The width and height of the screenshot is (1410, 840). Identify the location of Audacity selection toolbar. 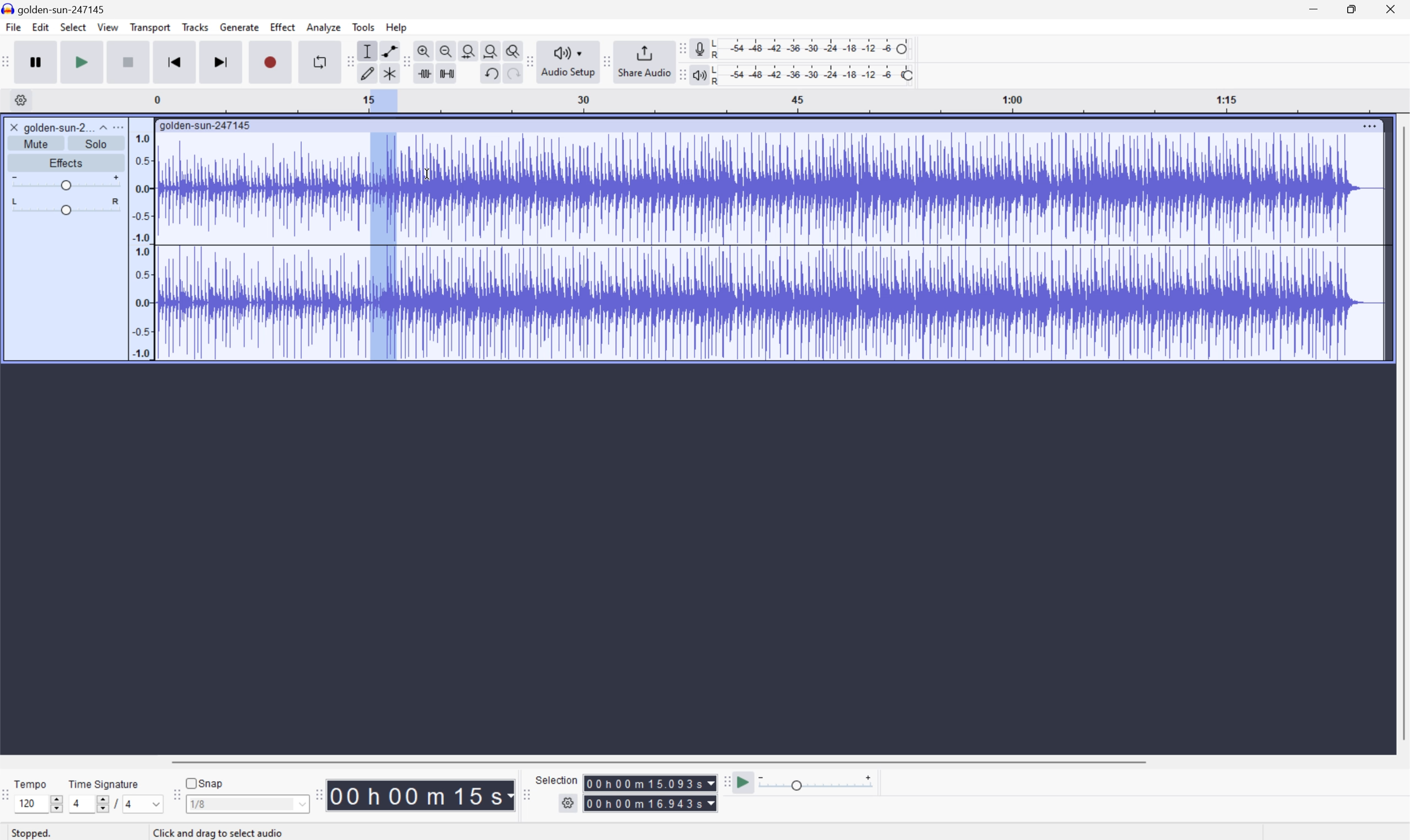
(526, 798).